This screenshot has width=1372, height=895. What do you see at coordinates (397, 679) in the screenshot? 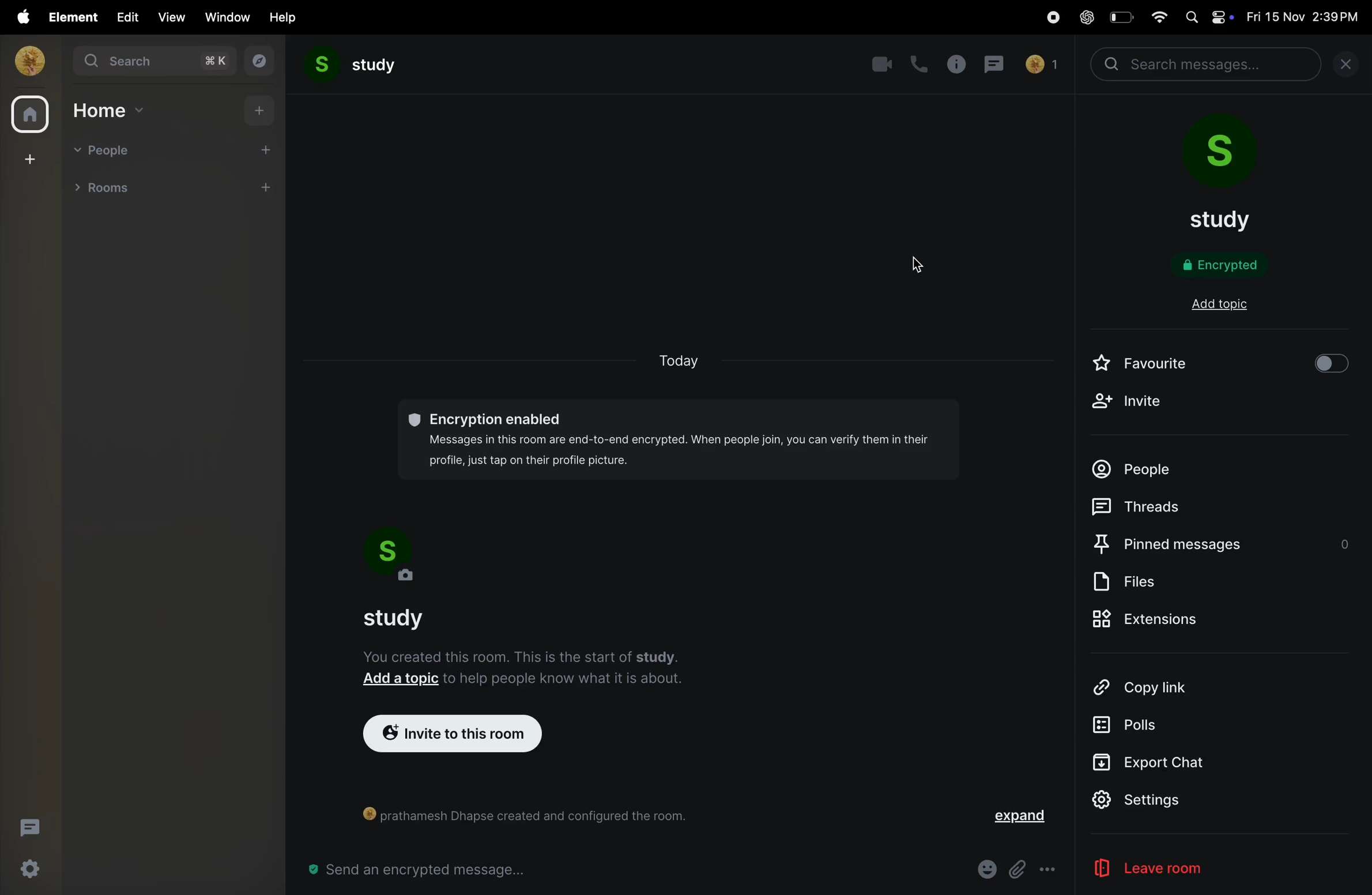
I see `Add a topic` at bounding box center [397, 679].